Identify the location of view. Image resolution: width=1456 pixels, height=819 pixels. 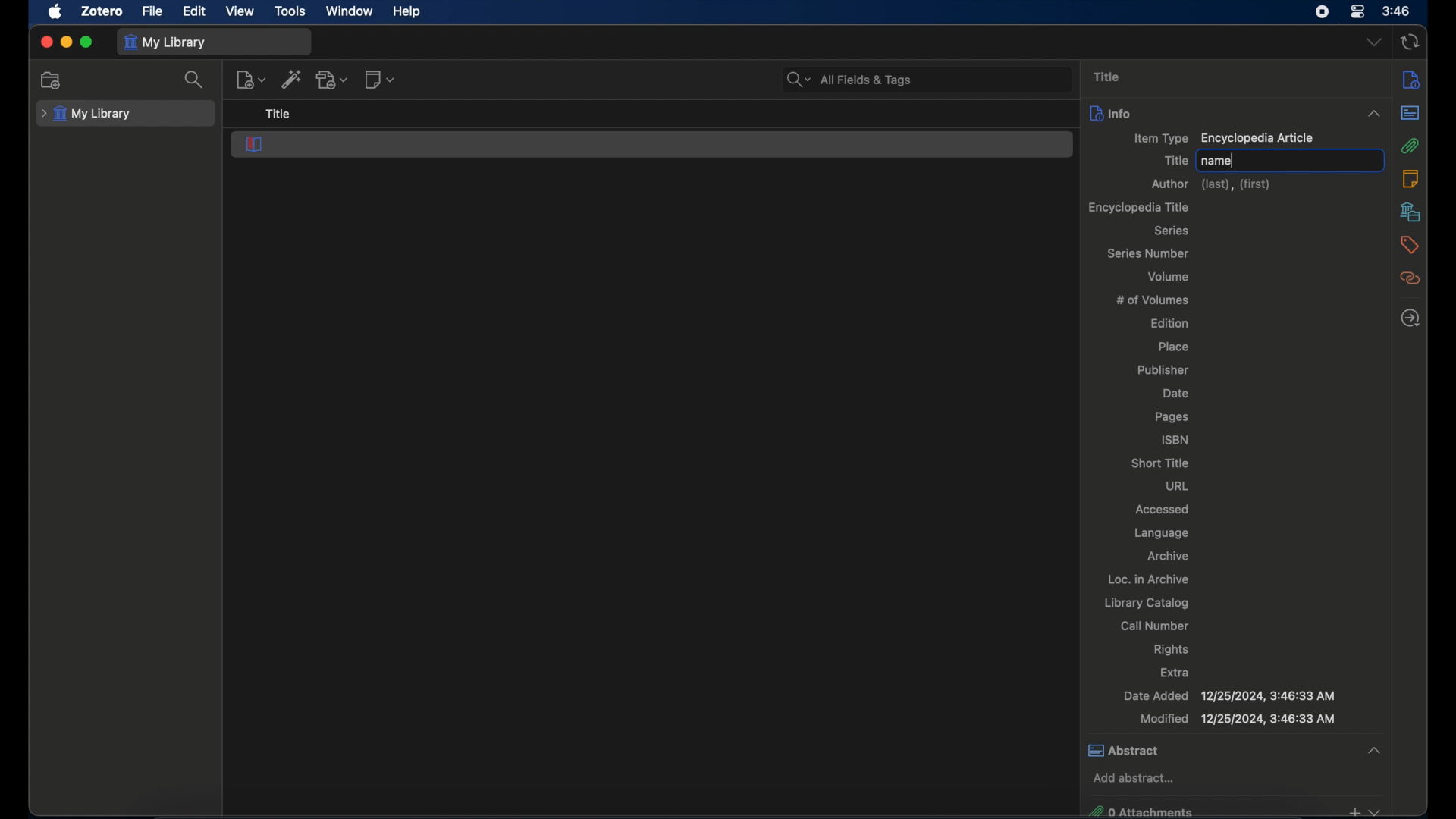
(240, 11).